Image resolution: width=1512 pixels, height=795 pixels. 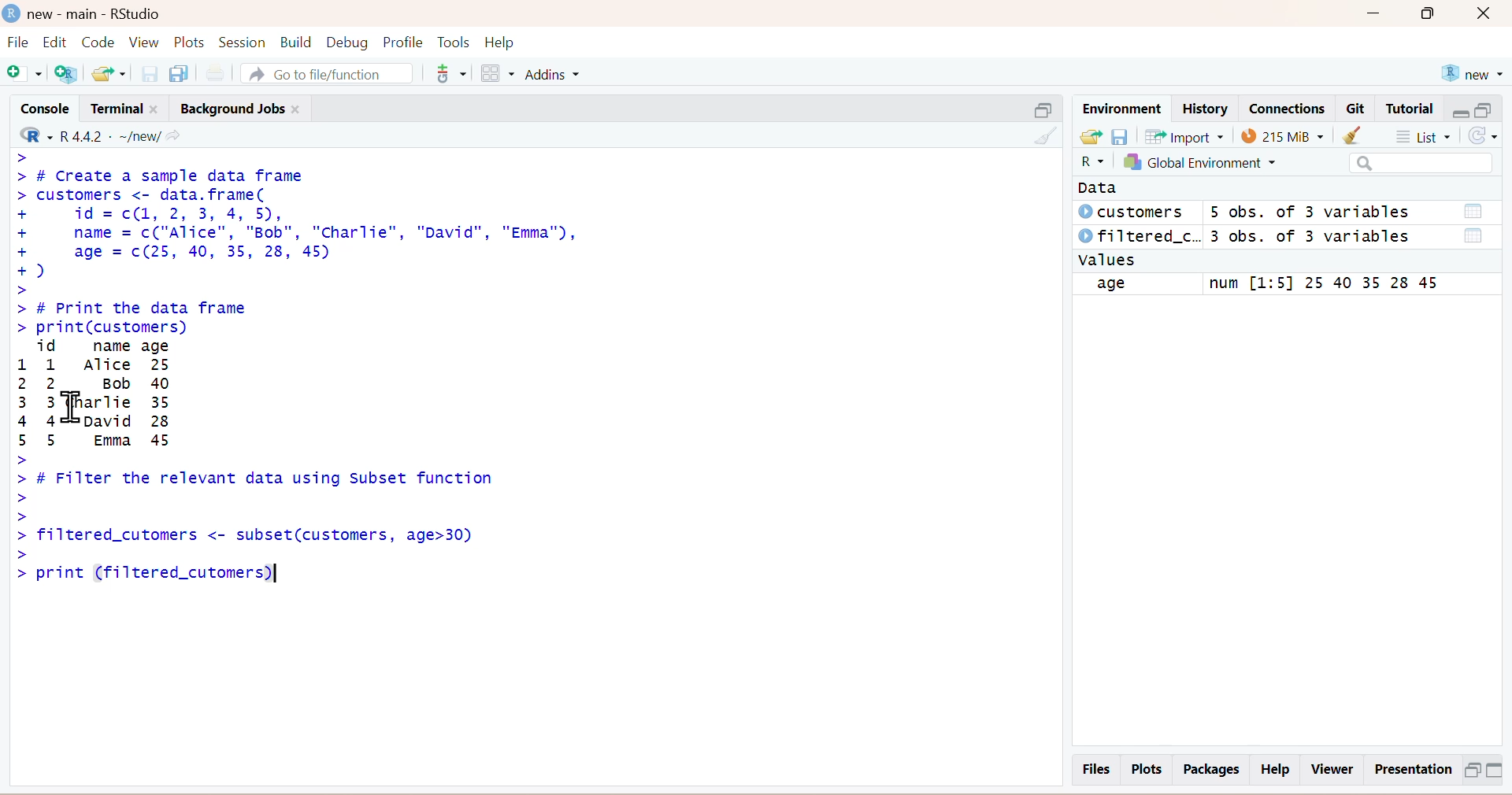 What do you see at coordinates (1471, 769) in the screenshot?
I see `Maximize` at bounding box center [1471, 769].